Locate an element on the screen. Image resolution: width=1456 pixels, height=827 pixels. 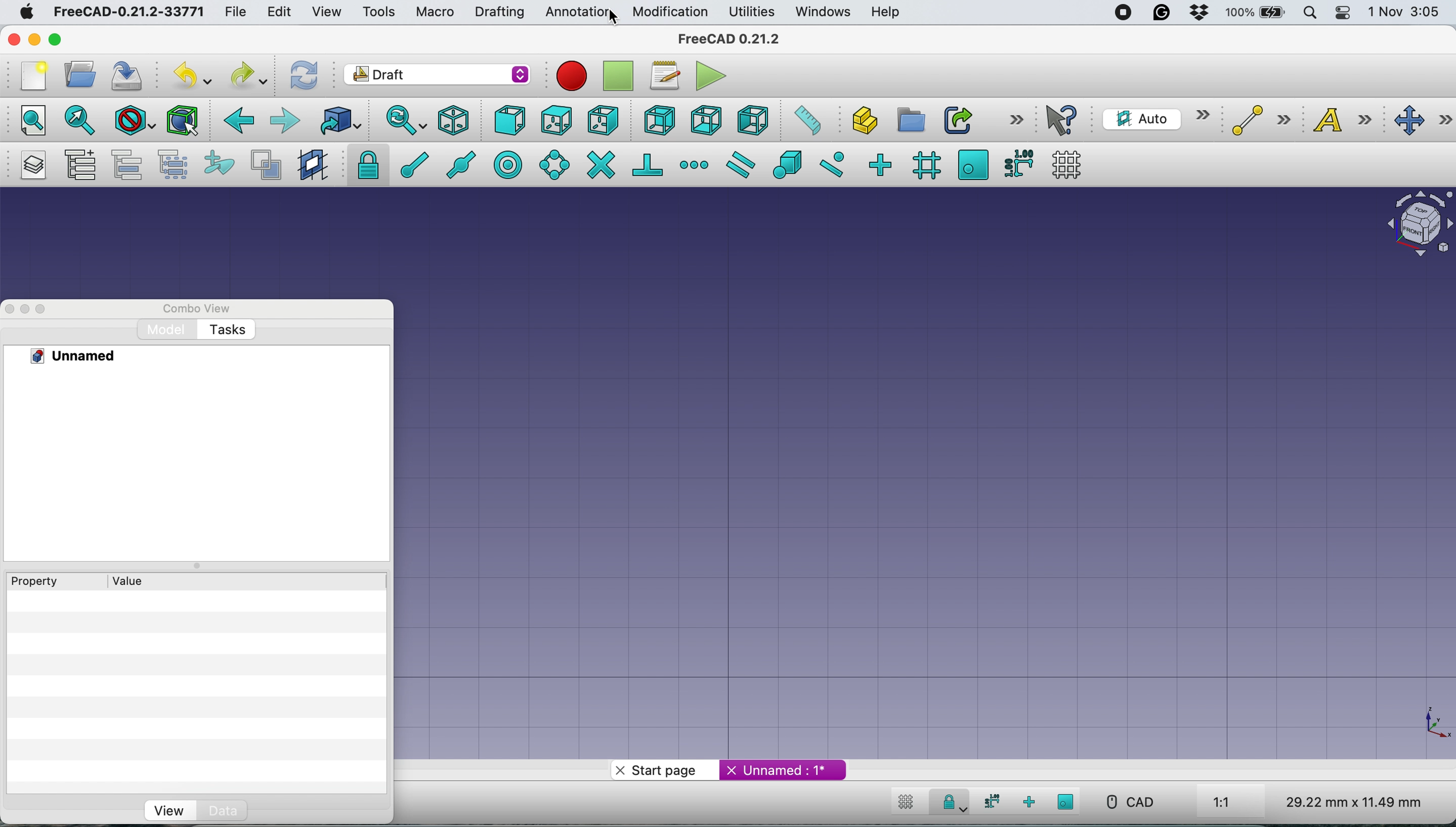
cursor is located at coordinates (620, 18).